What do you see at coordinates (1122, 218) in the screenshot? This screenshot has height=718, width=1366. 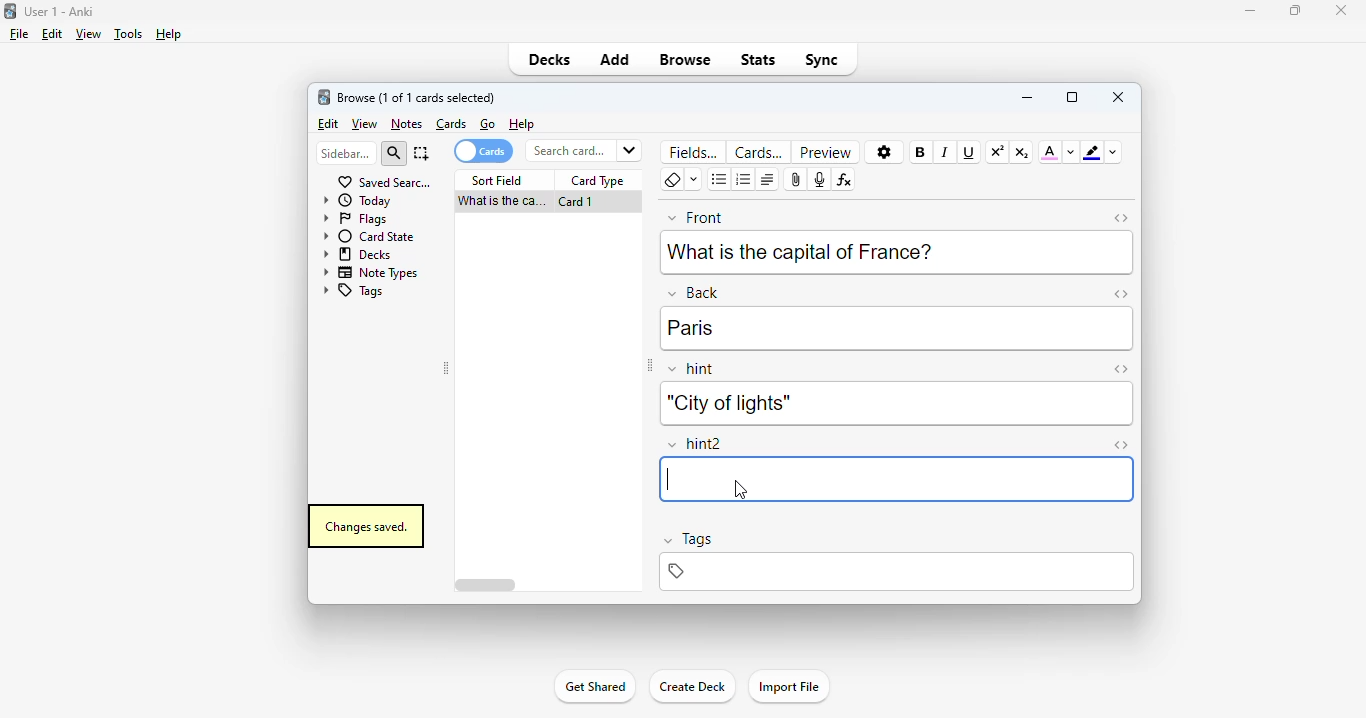 I see `toggle HTML editor` at bounding box center [1122, 218].